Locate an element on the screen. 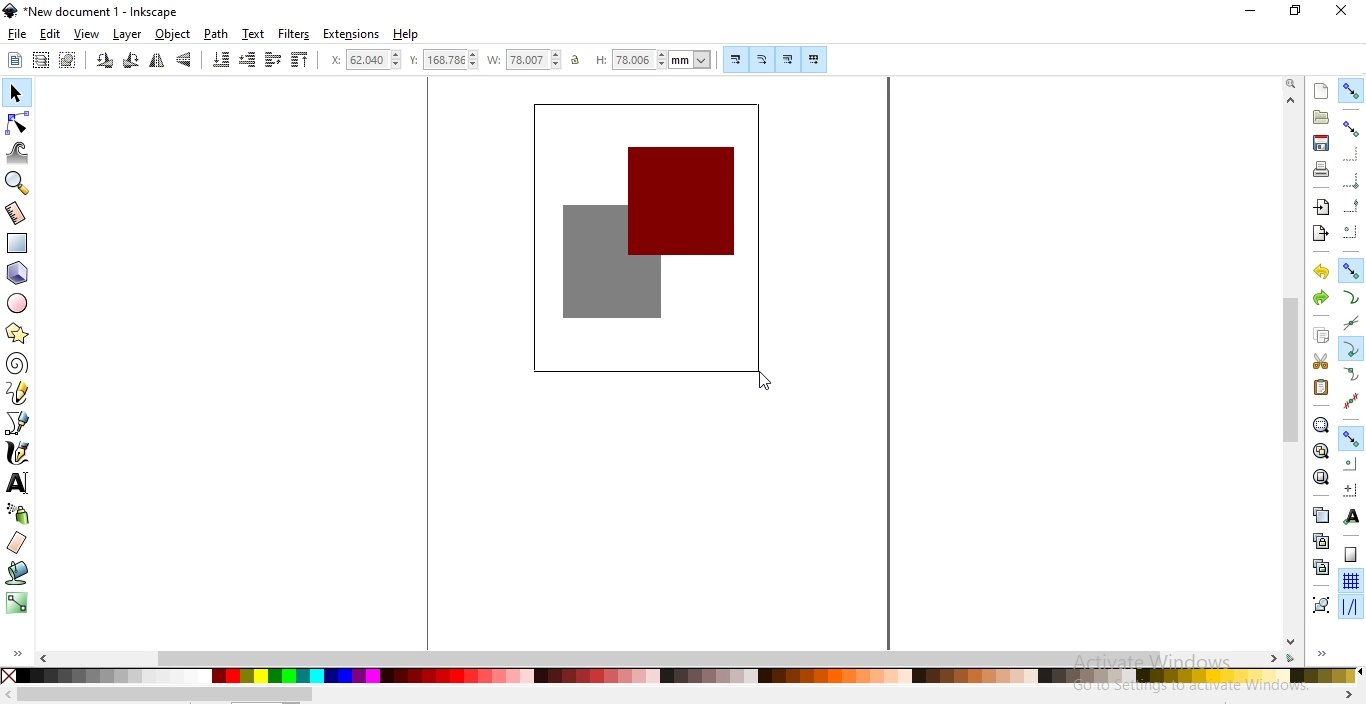 The height and width of the screenshot is (704, 1366). path is located at coordinates (217, 34).